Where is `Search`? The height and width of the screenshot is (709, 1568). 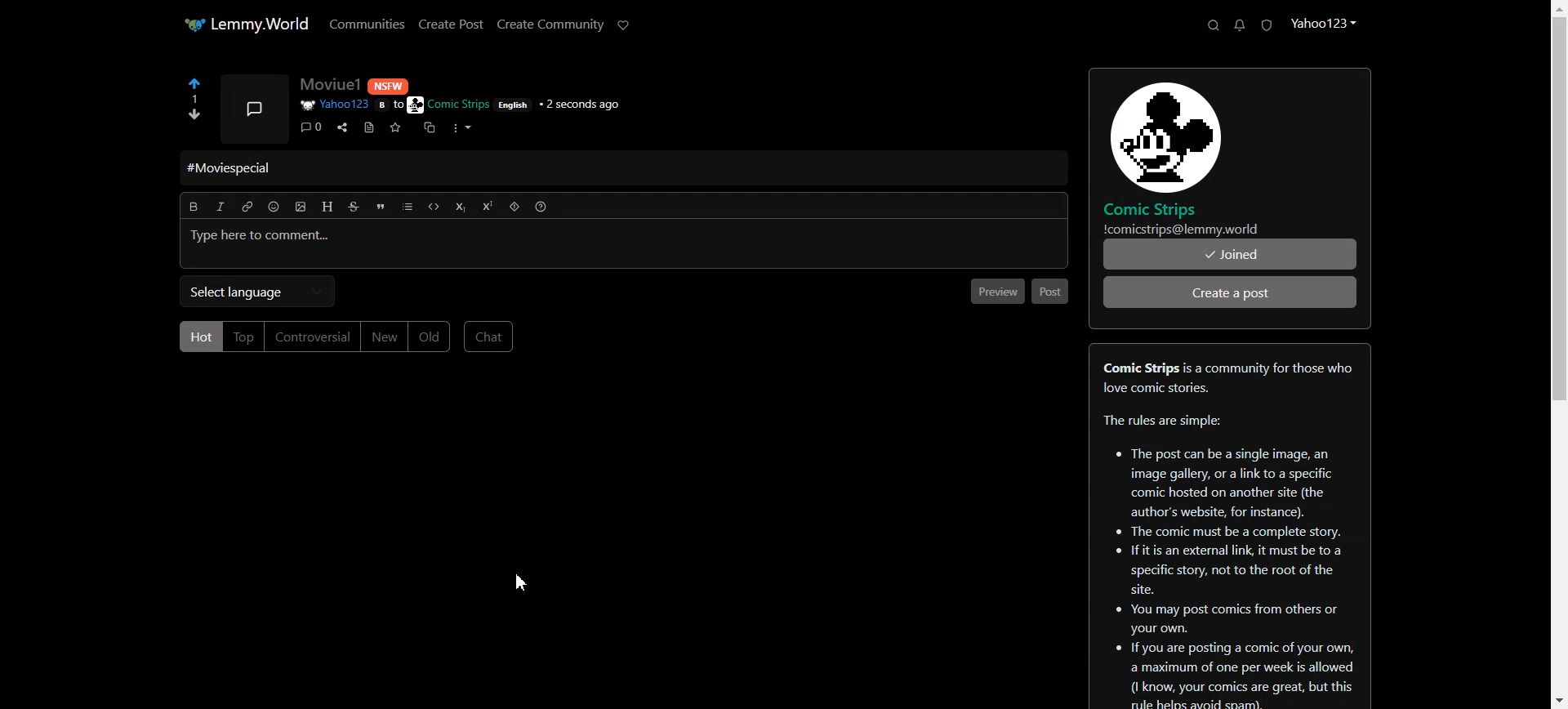 Search is located at coordinates (1212, 25).